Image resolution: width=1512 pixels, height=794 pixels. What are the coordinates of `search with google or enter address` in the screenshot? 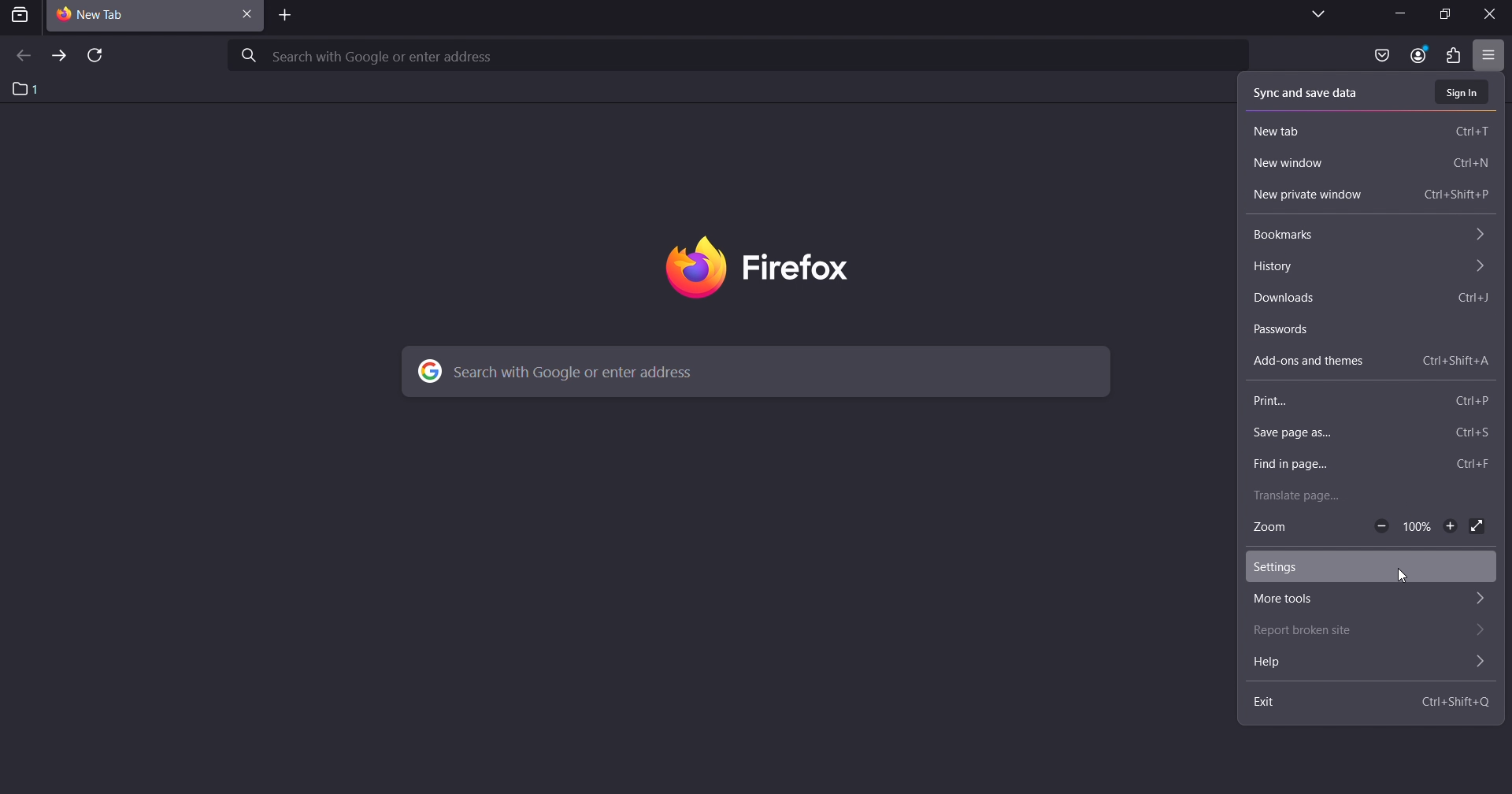 It's located at (758, 373).